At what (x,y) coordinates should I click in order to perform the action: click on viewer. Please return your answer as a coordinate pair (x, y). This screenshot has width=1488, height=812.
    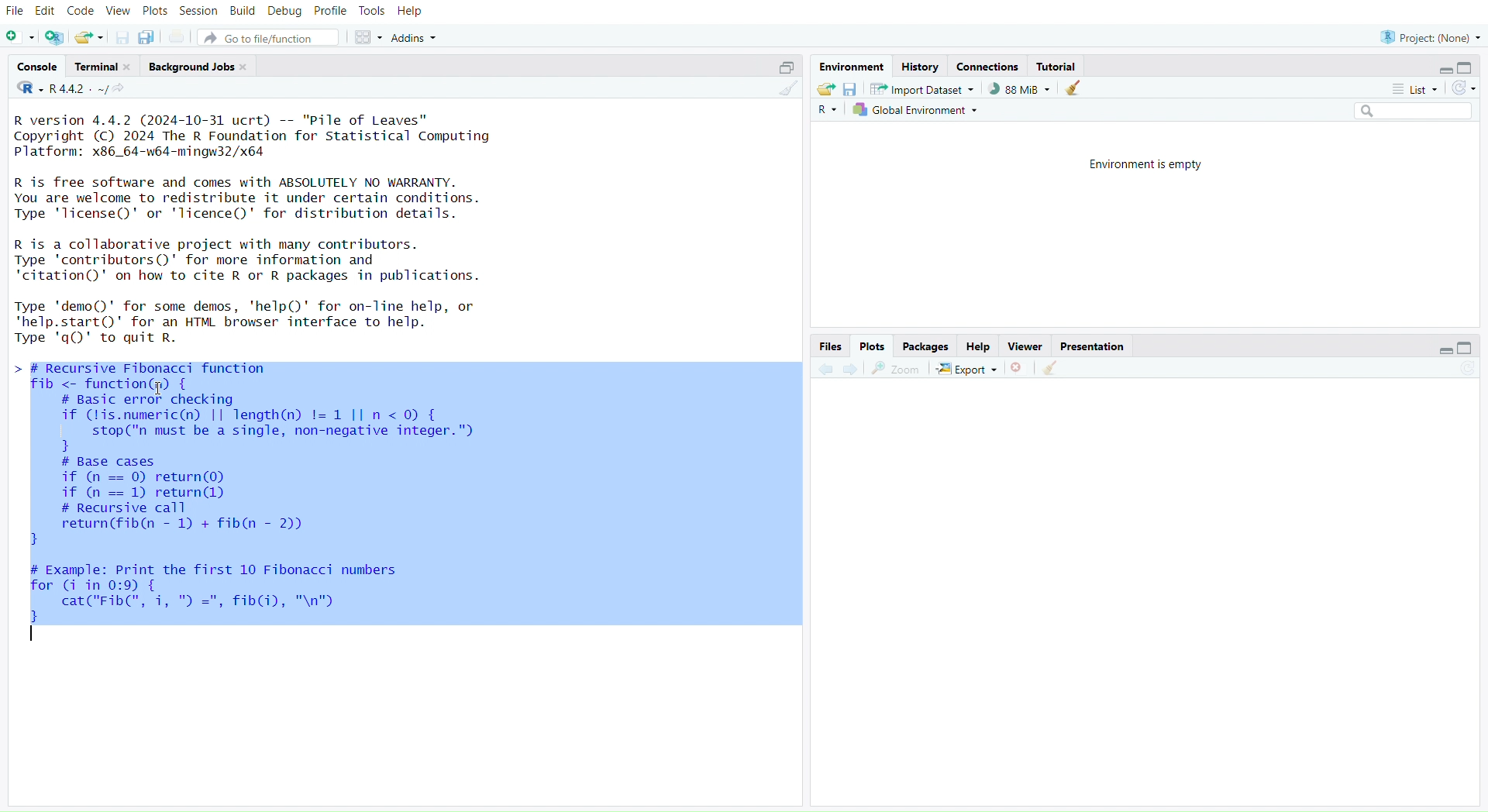
    Looking at the image, I should click on (1026, 347).